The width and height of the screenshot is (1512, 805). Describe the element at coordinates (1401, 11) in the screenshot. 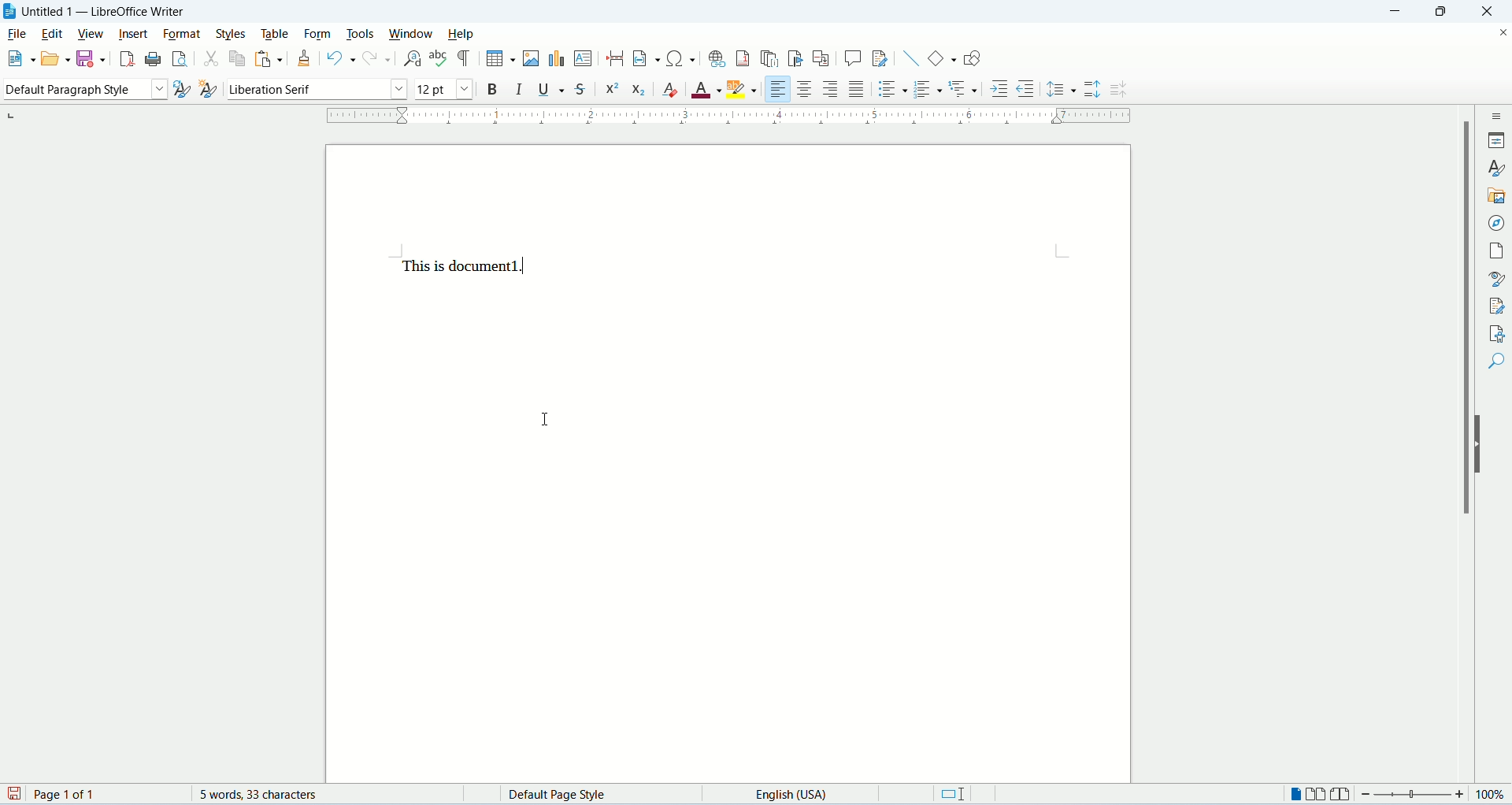

I see `minimize` at that location.